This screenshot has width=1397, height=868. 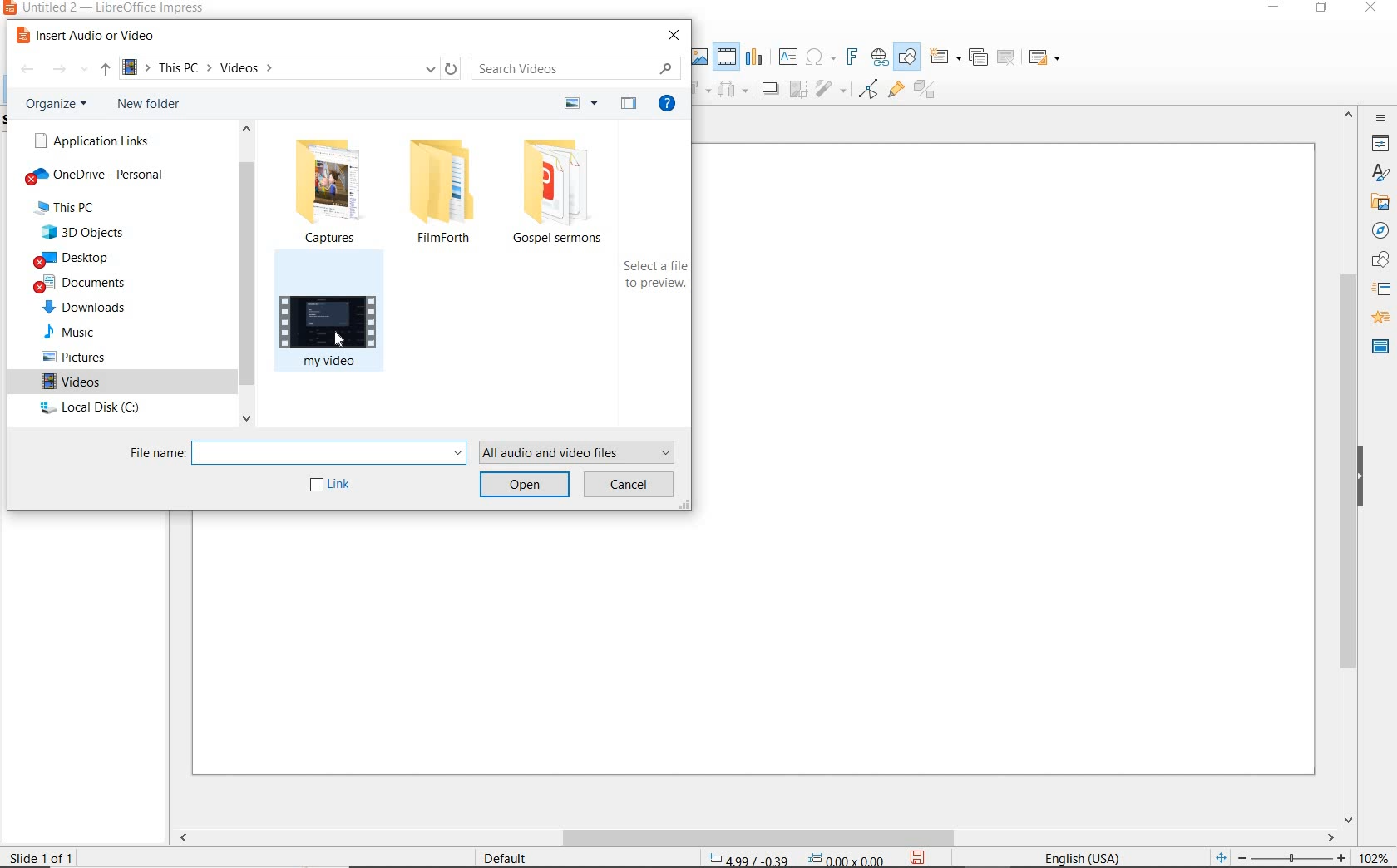 I want to click on master slide, so click(x=1378, y=346).